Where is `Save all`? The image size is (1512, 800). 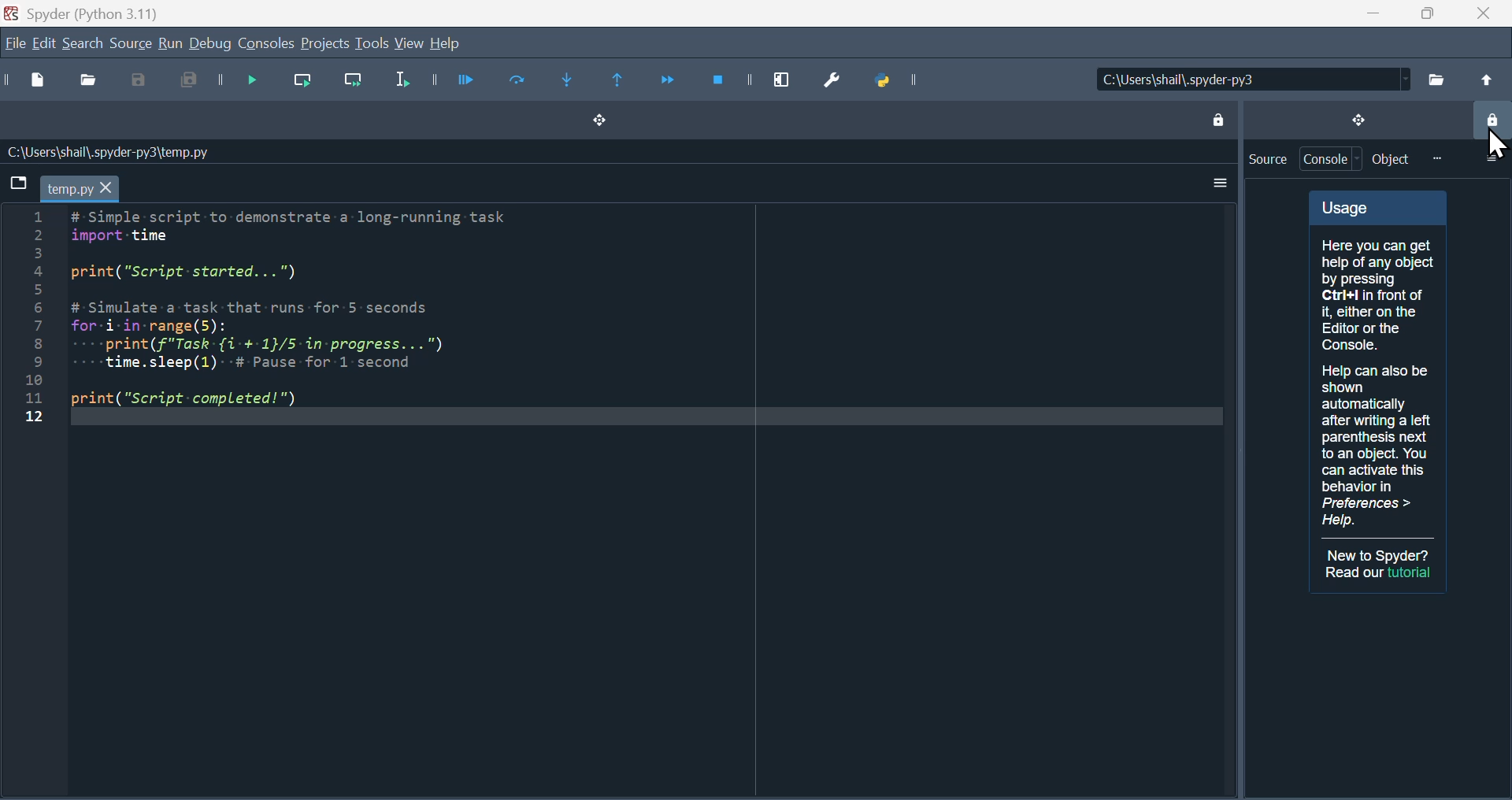 Save all is located at coordinates (183, 83).